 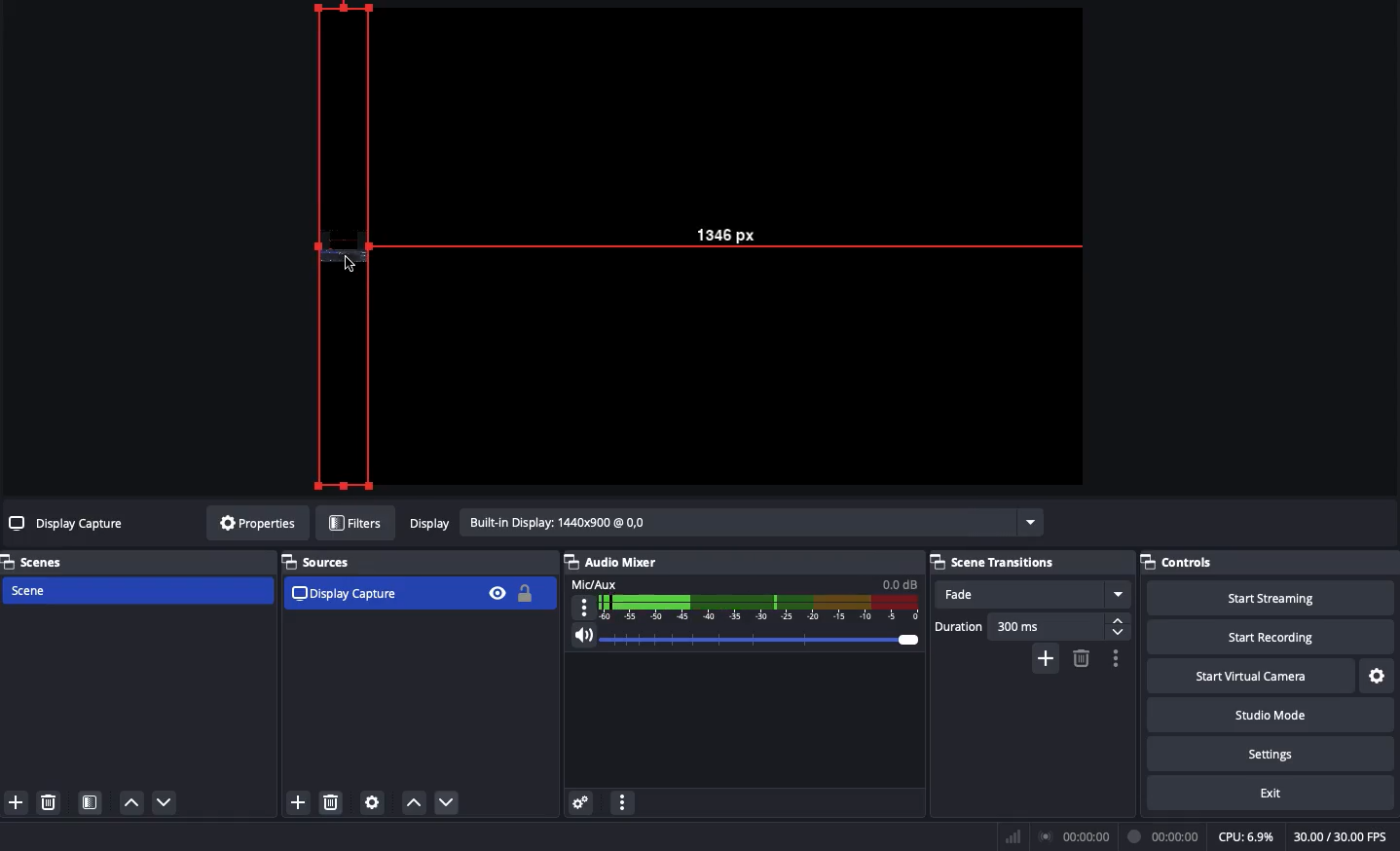 I want to click on Display, so click(x=723, y=525).